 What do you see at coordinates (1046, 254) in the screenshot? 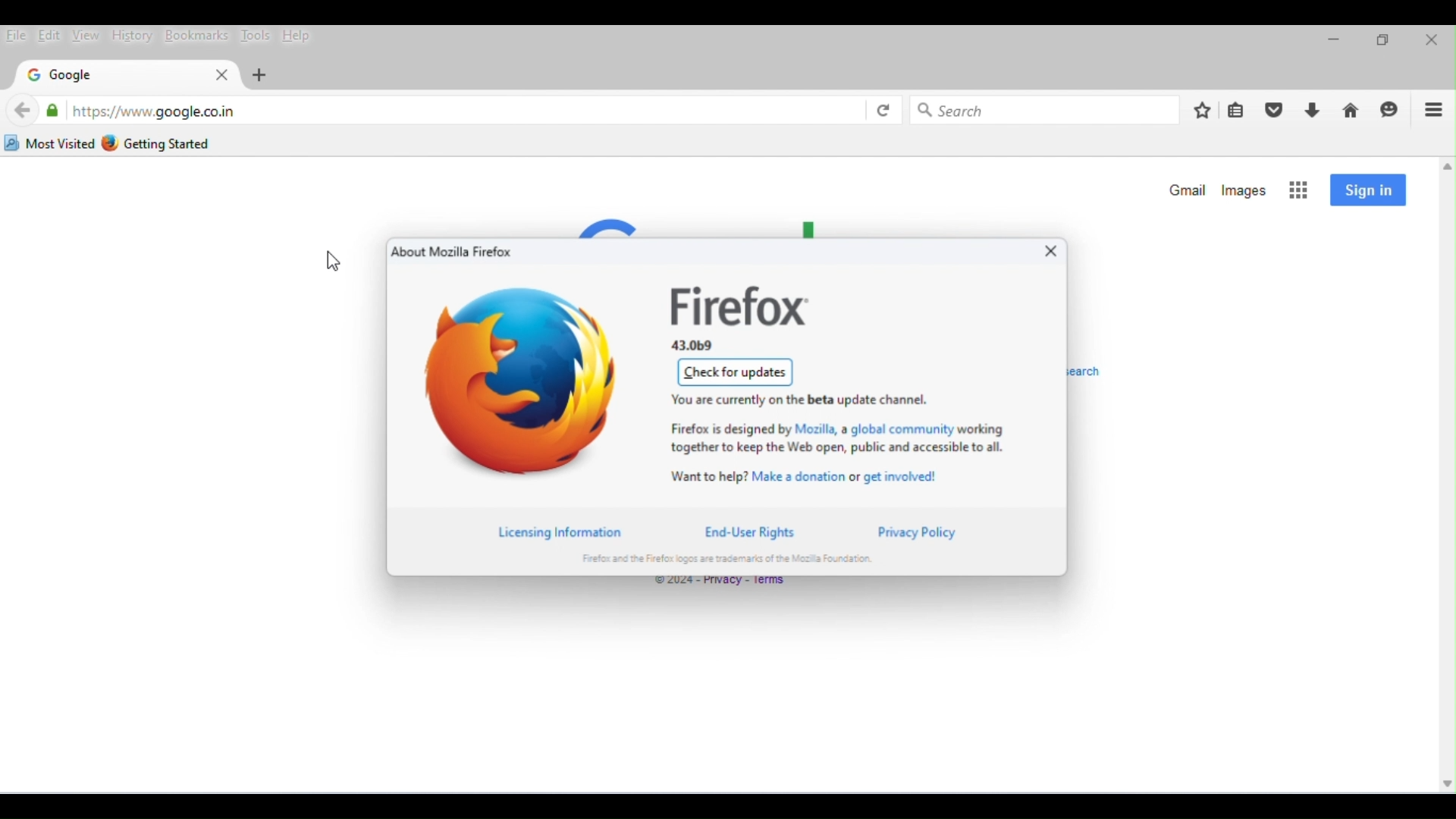
I see `close` at bounding box center [1046, 254].